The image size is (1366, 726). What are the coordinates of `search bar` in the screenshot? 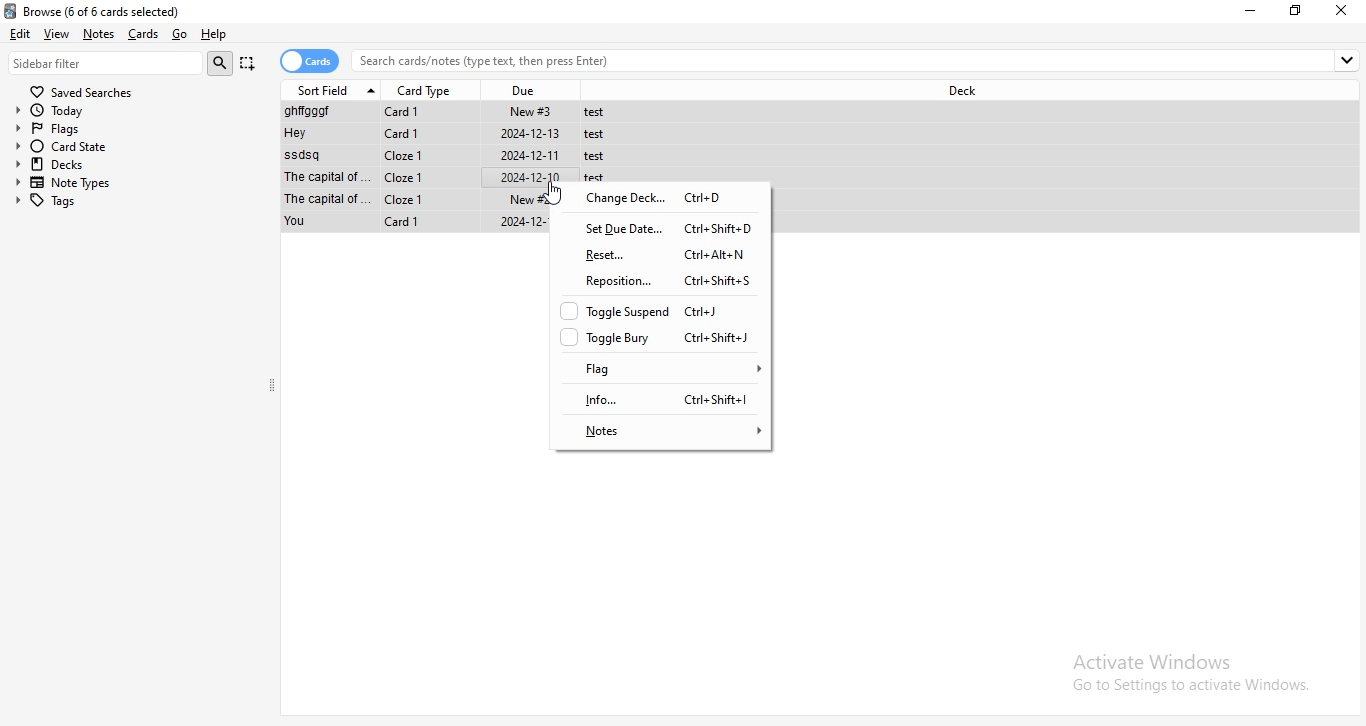 It's located at (858, 60).